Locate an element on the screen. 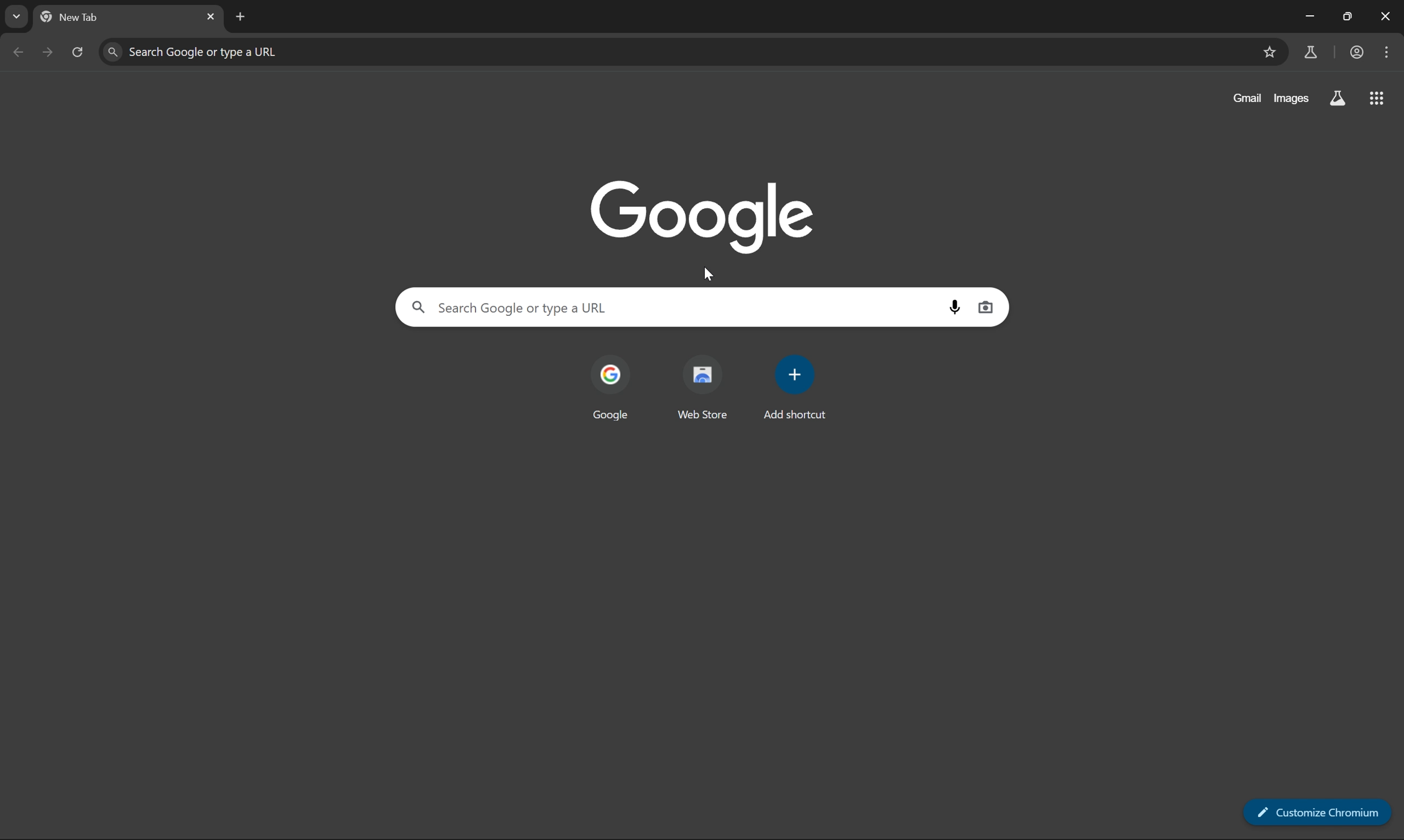 Image resolution: width=1404 pixels, height=840 pixels. close is located at coordinates (1386, 15).